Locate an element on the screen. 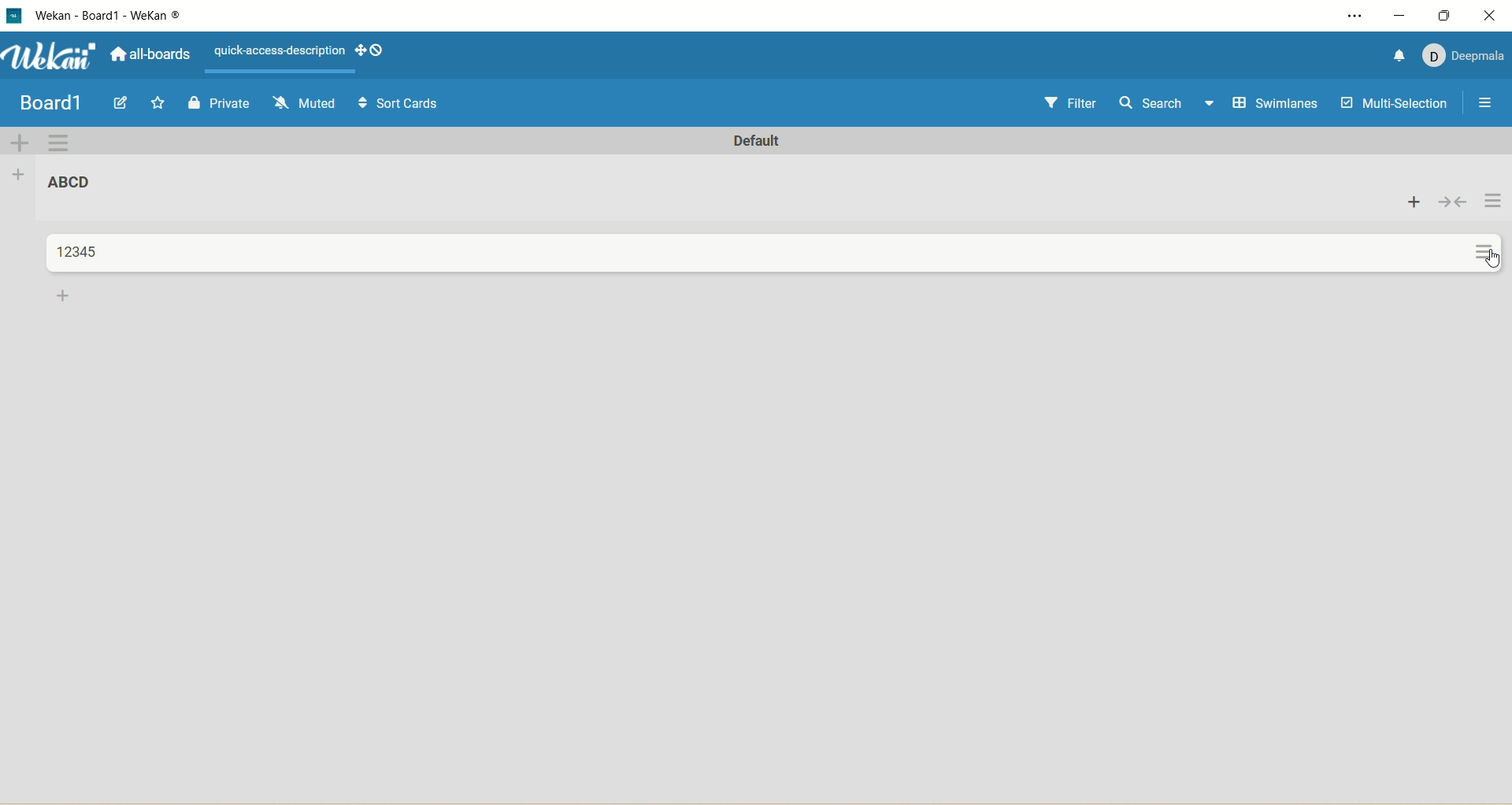 The width and height of the screenshot is (1512, 805). add list is located at coordinates (21, 178).